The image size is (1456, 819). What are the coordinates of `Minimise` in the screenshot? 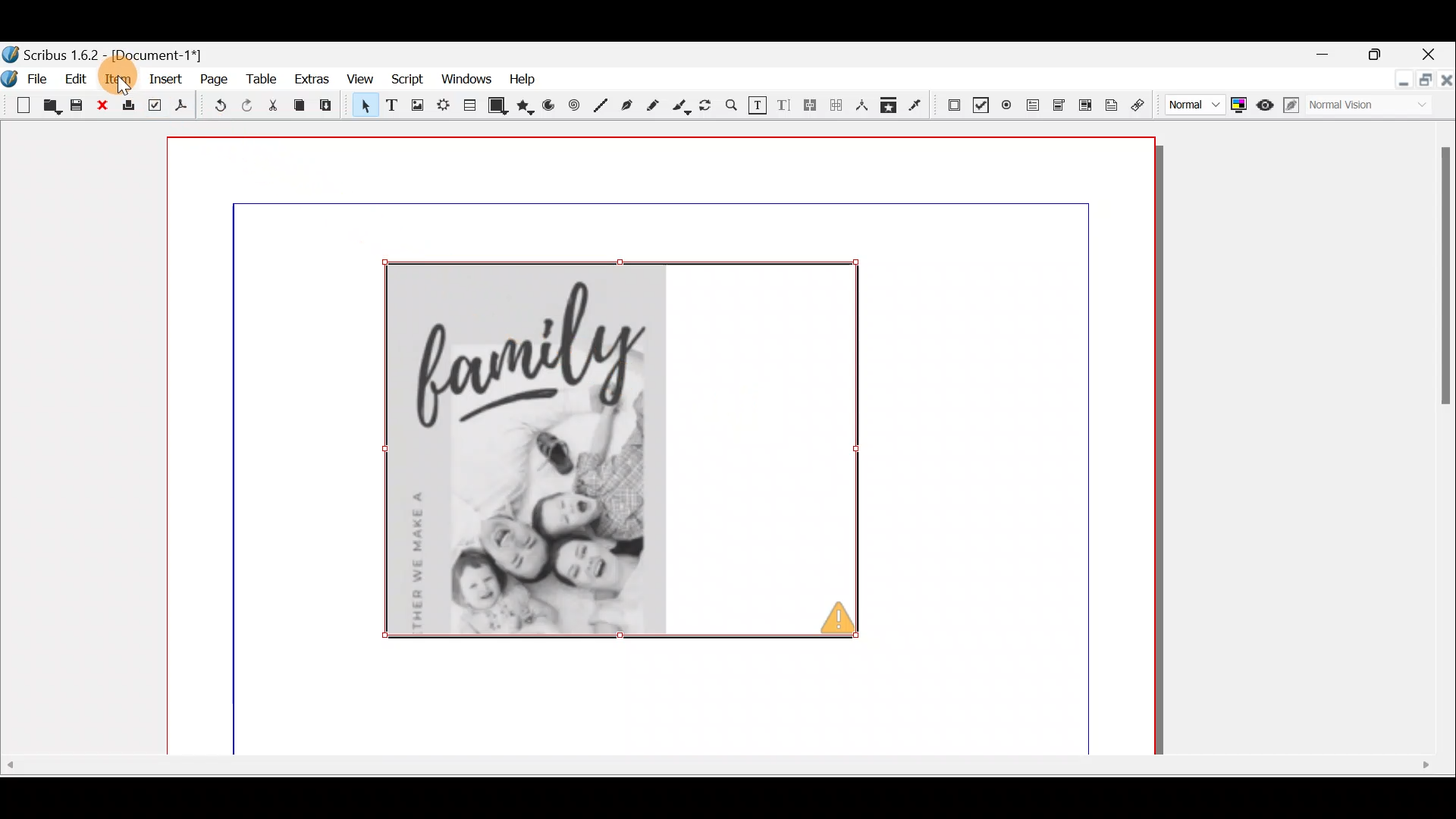 It's located at (1325, 55).